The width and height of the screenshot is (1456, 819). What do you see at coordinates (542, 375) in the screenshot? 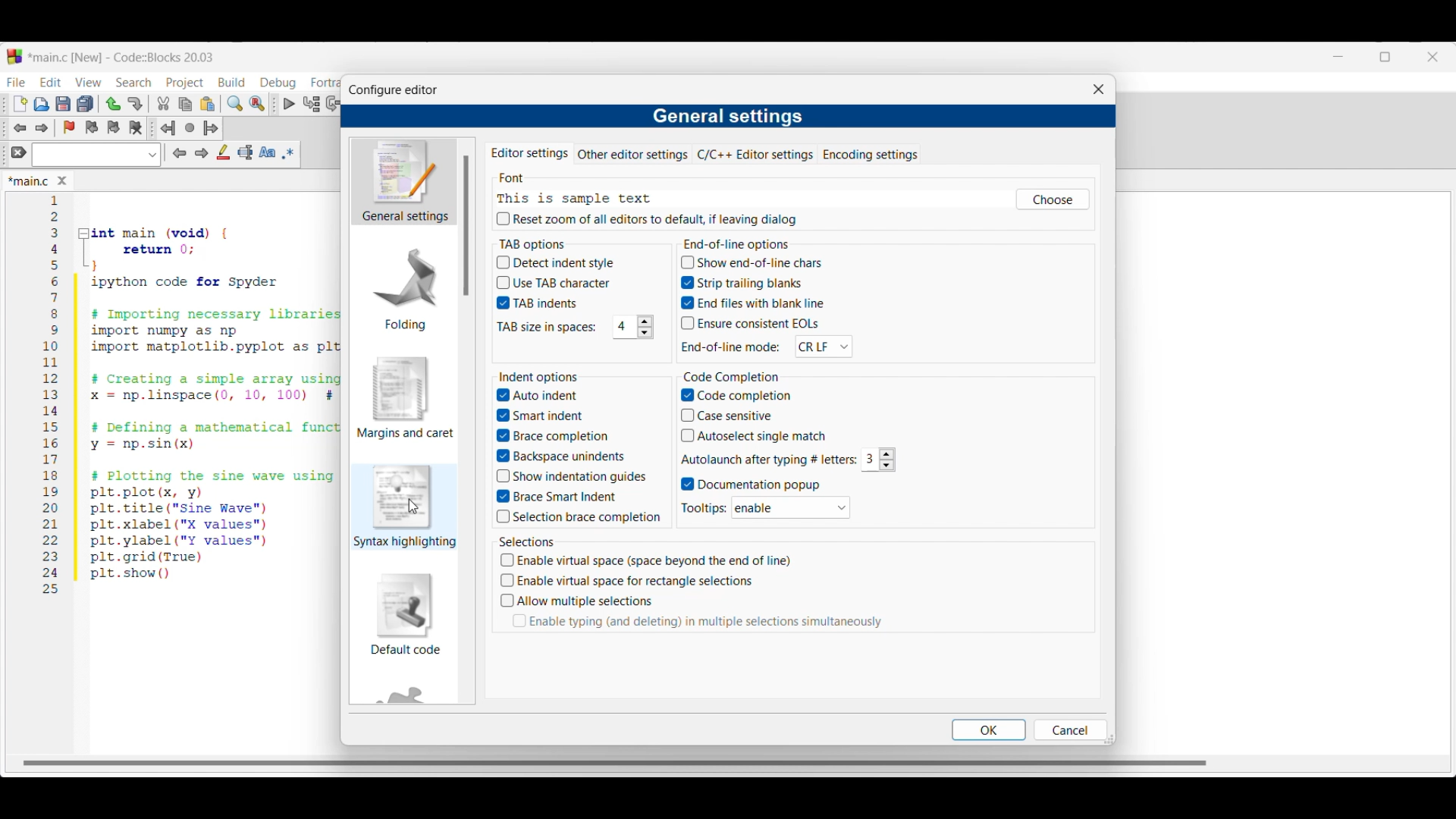
I see `Respective section titles` at bounding box center [542, 375].